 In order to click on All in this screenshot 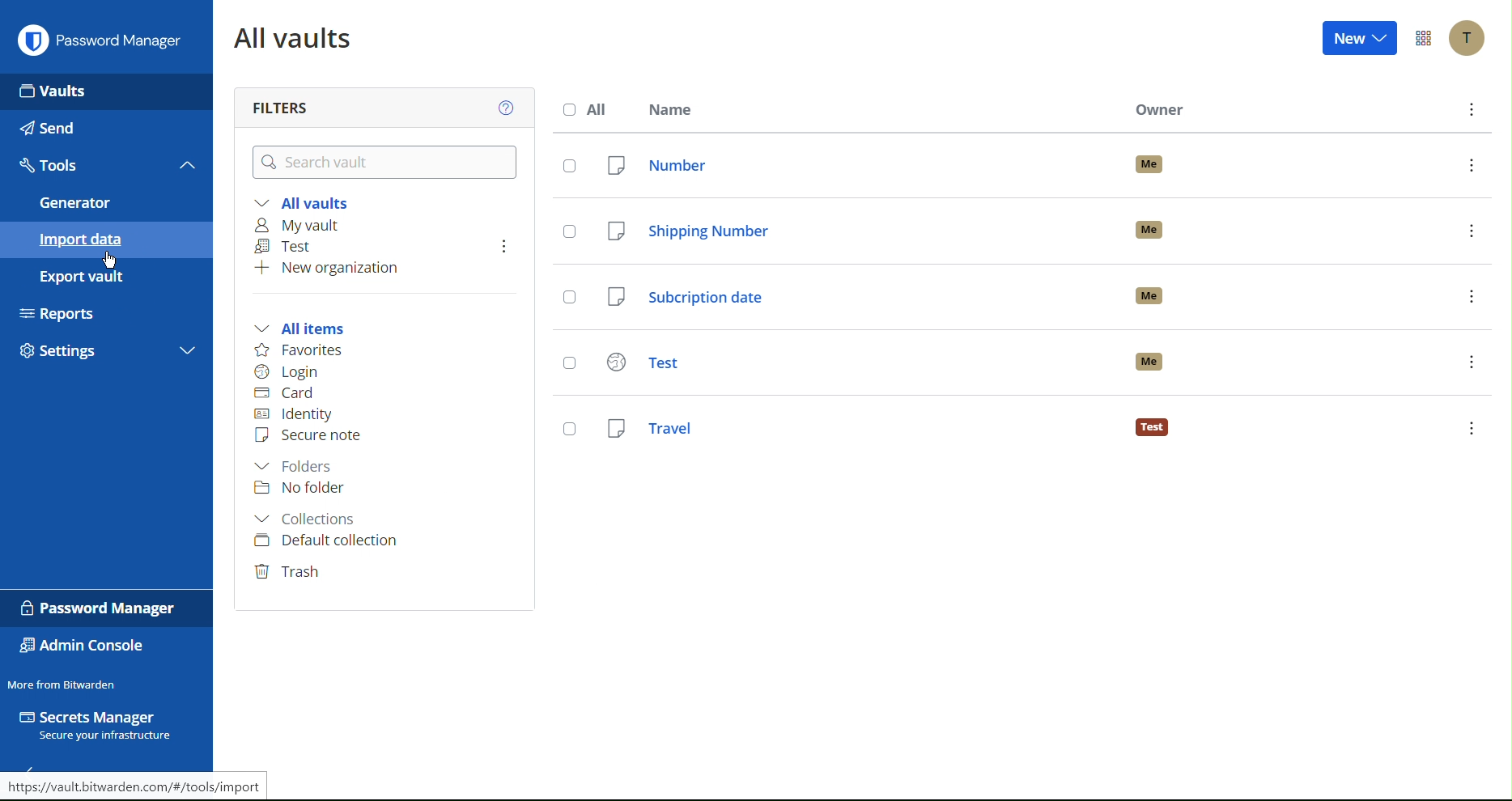, I will do `click(590, 109)`.